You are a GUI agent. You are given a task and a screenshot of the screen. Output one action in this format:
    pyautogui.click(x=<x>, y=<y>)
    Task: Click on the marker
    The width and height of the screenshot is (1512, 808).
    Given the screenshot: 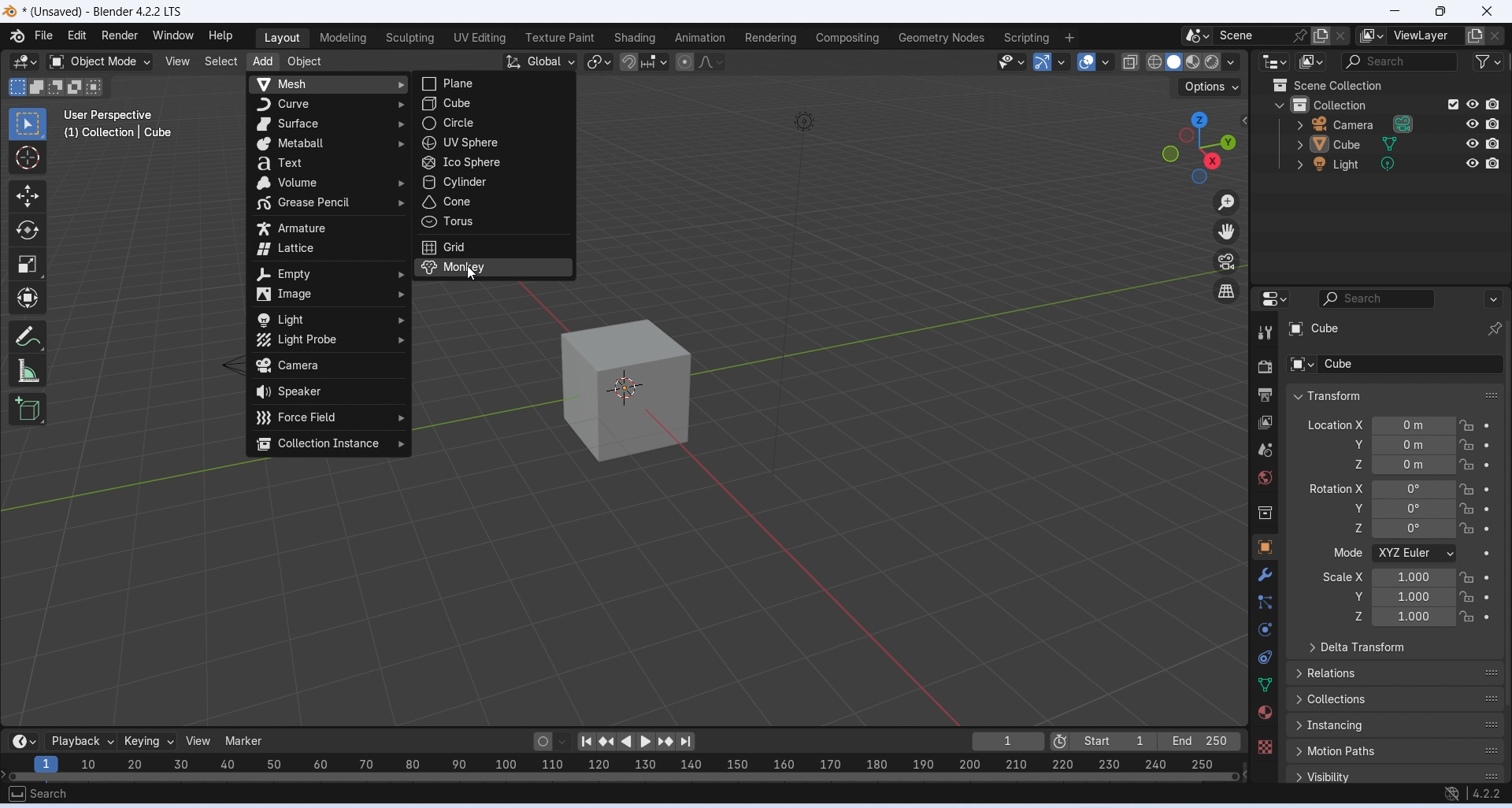 What is the action you would take?
    pyautogui.click(x=246, y=740)
    